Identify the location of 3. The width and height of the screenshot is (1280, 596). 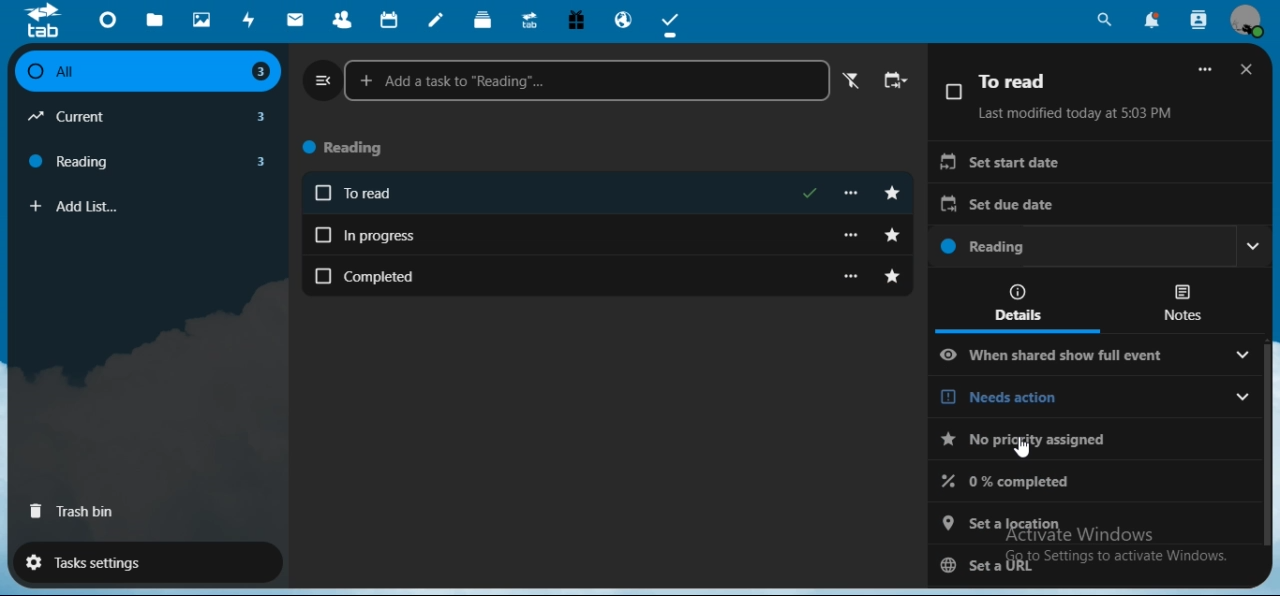
(261, 73).